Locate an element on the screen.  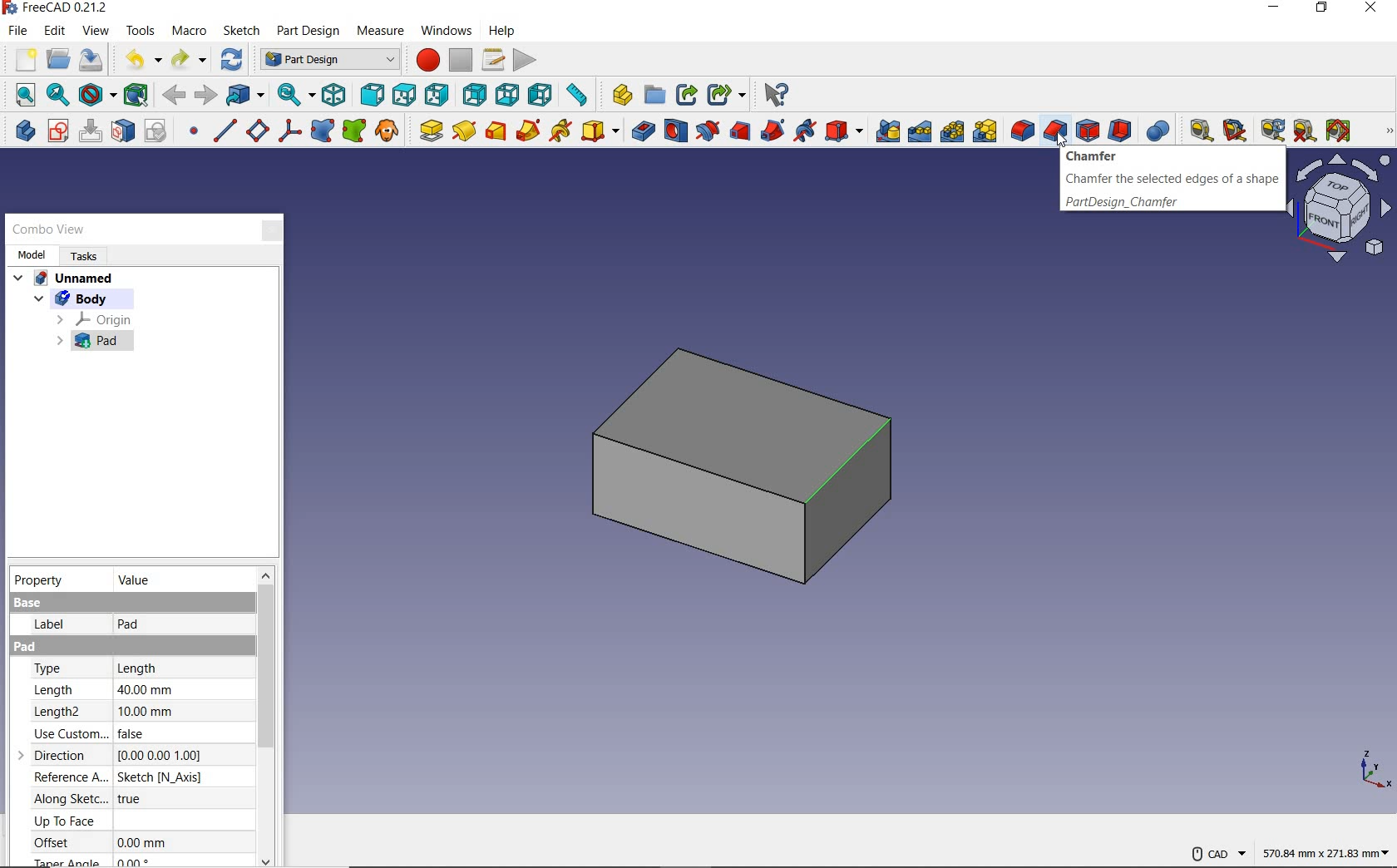
more tools is located at coordinates (1390, 131).